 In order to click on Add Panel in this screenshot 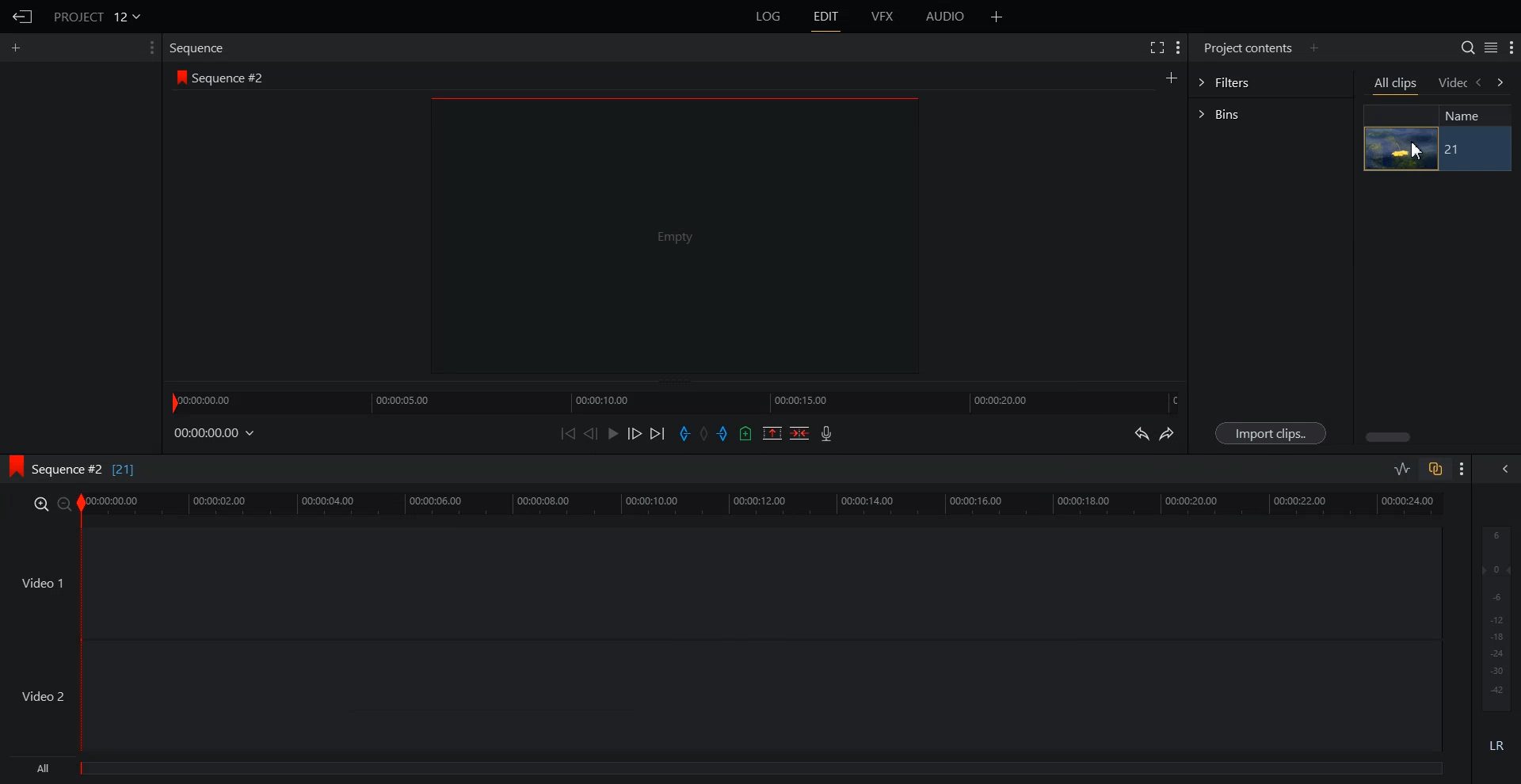, I will do `click(1316, 48)`.